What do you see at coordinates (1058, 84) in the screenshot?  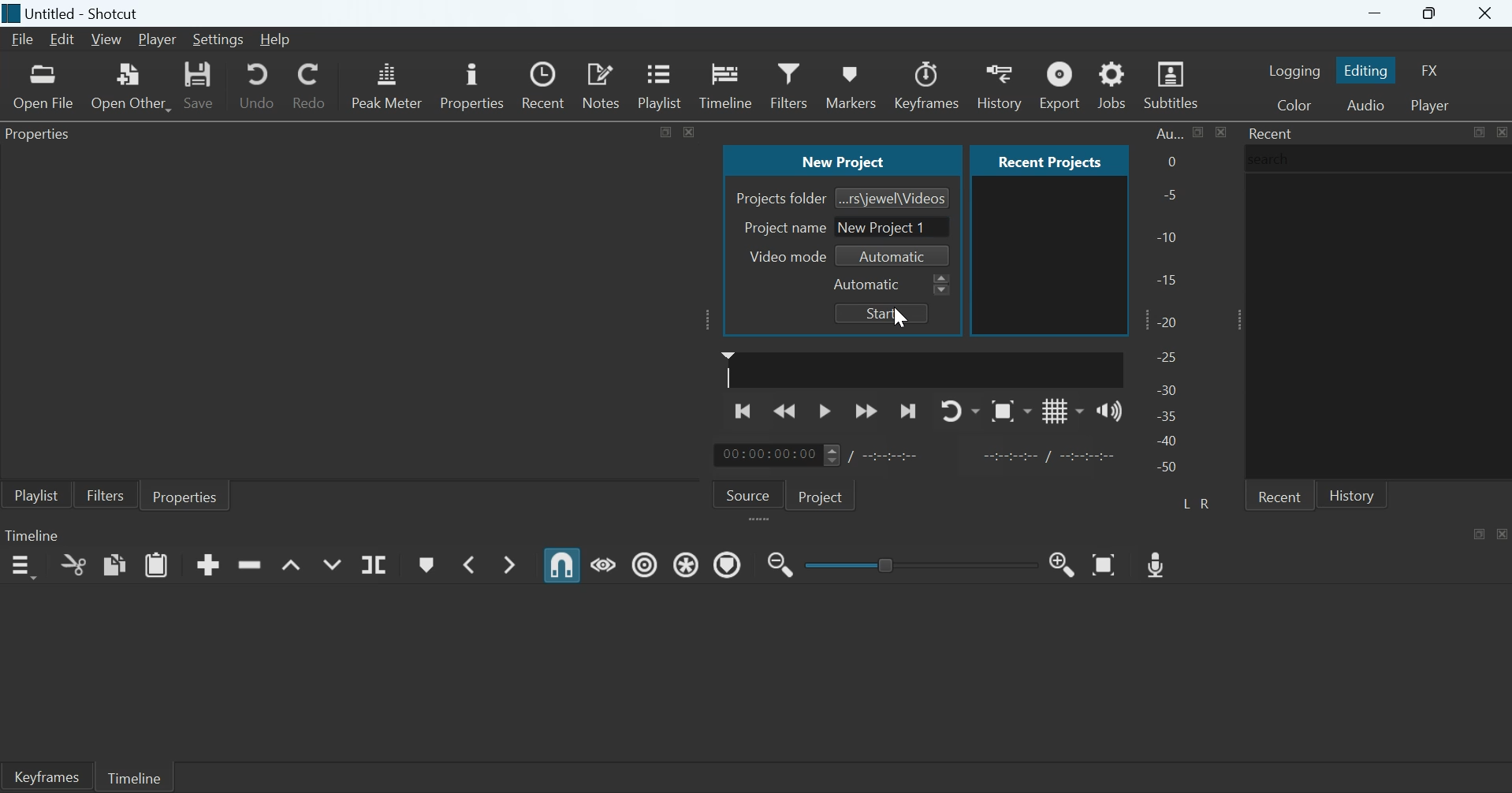 I see `Export` at bounding box center [1058, 84].